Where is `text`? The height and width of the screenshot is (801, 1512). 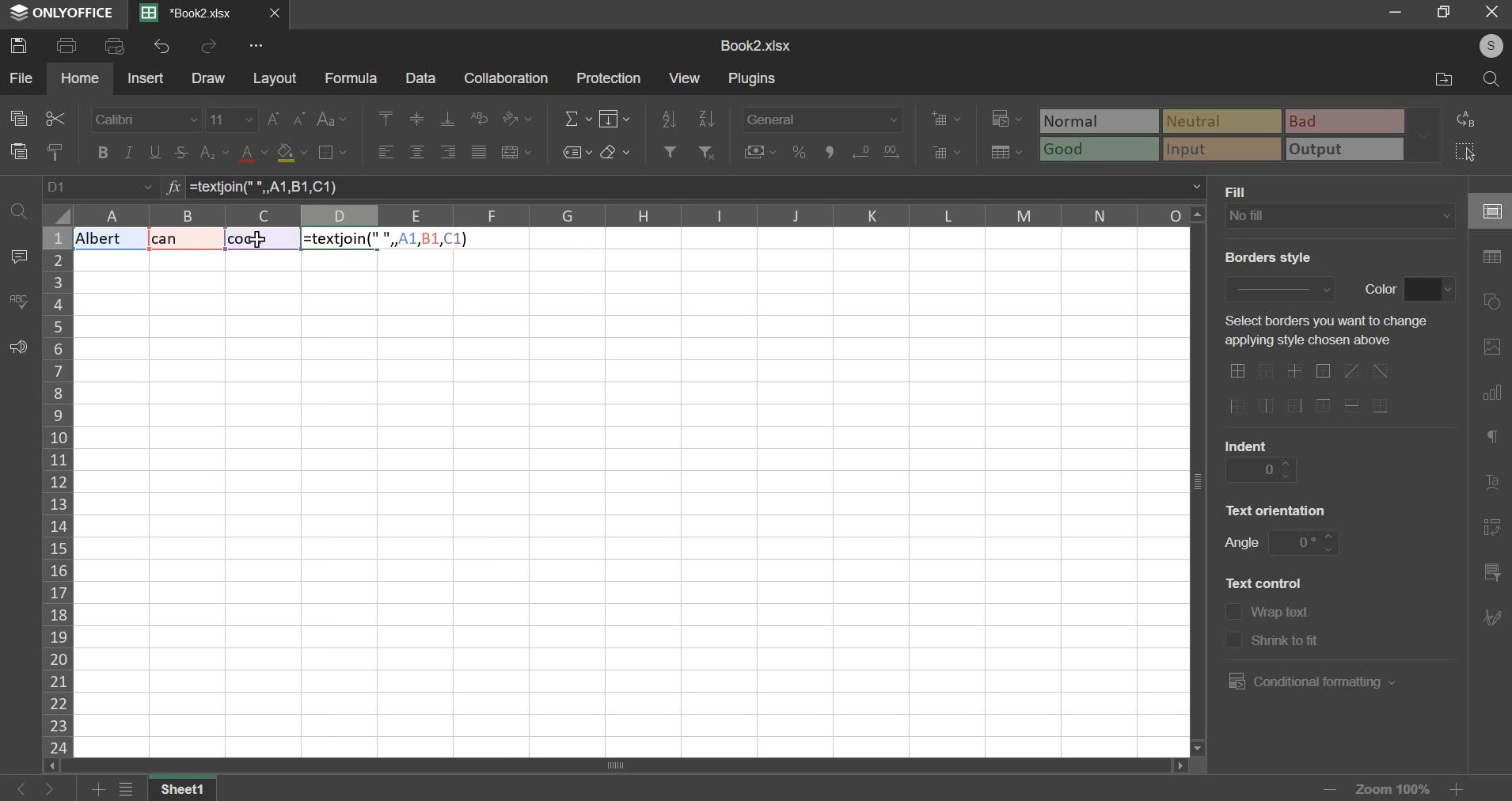 text is located at coordinates (1264, 582).